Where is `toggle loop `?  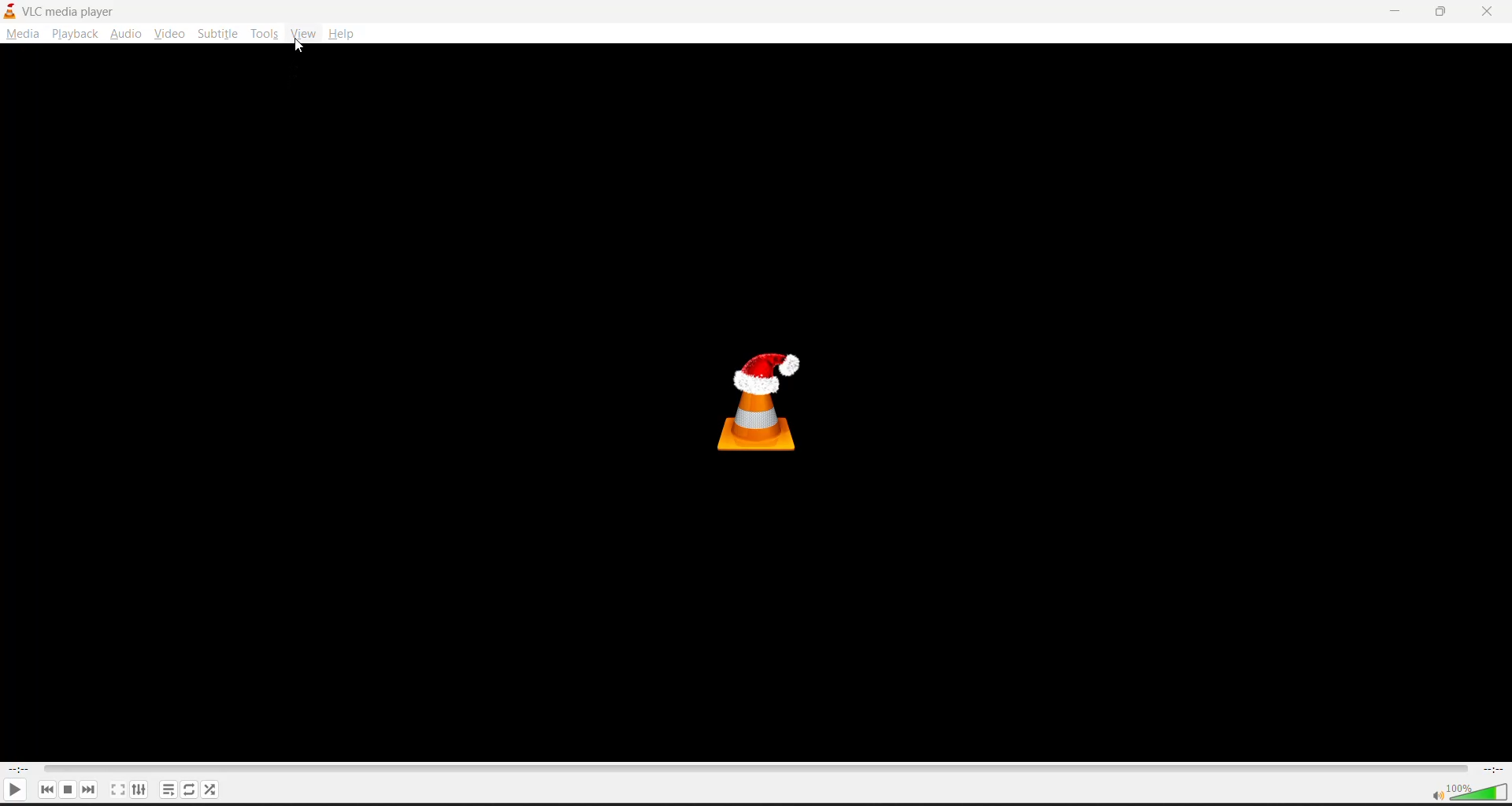 toggle loop  is located at coordinates (191, 790).